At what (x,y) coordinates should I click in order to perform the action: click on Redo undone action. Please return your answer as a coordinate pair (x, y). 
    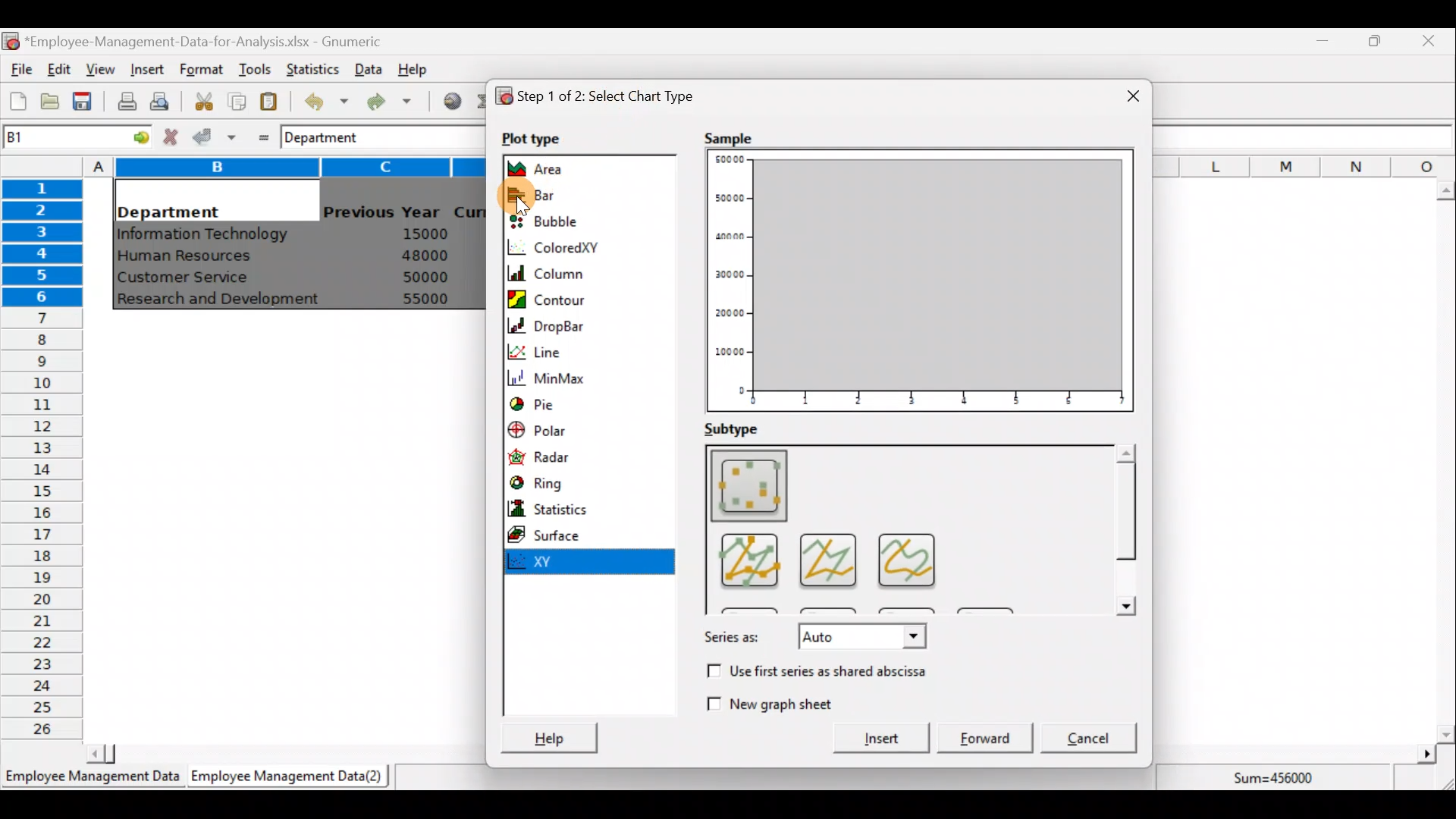
    Looking at the image, I should click on (386, 102).